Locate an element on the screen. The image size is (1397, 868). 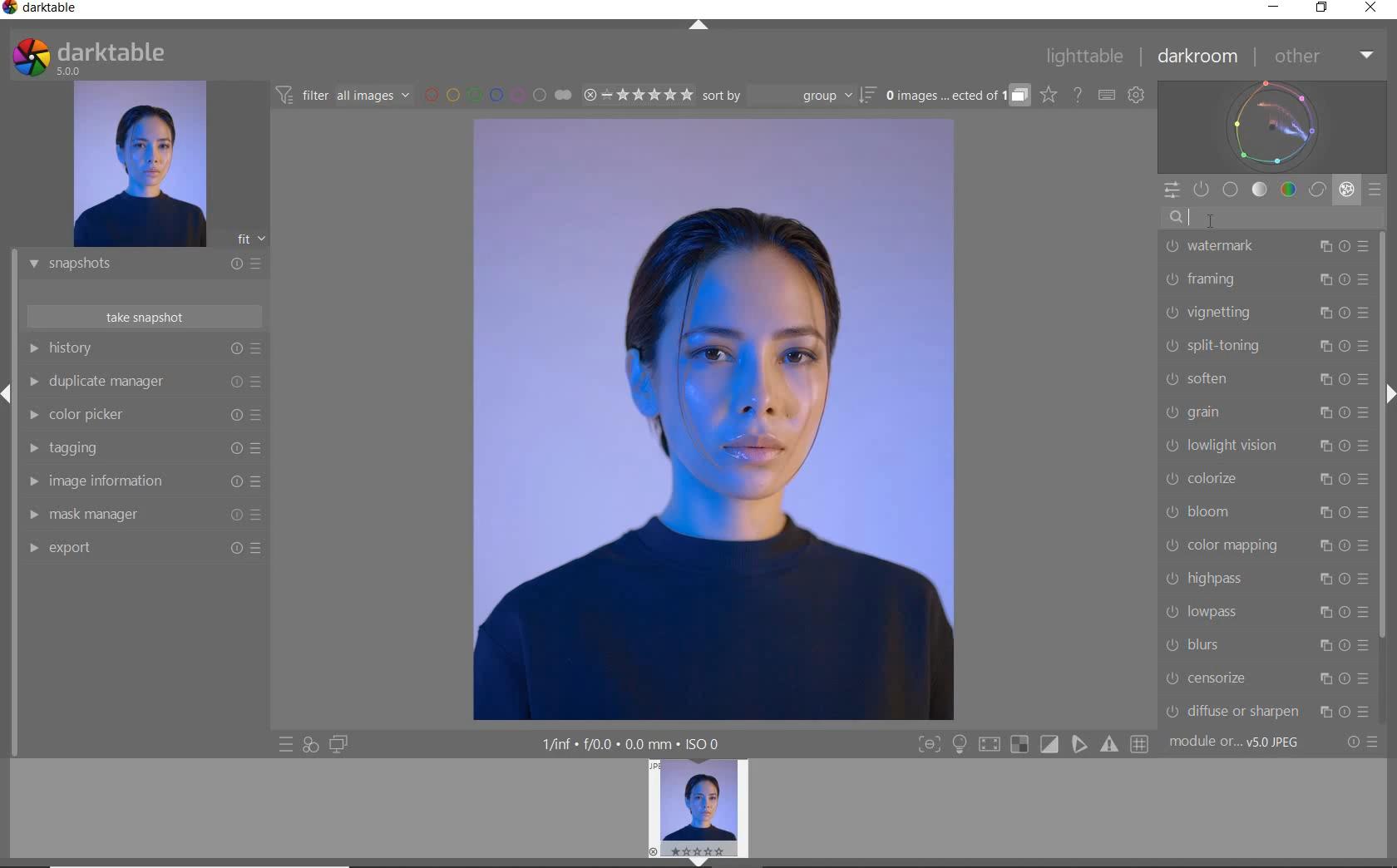
Button is located at coordinates (960, 746).